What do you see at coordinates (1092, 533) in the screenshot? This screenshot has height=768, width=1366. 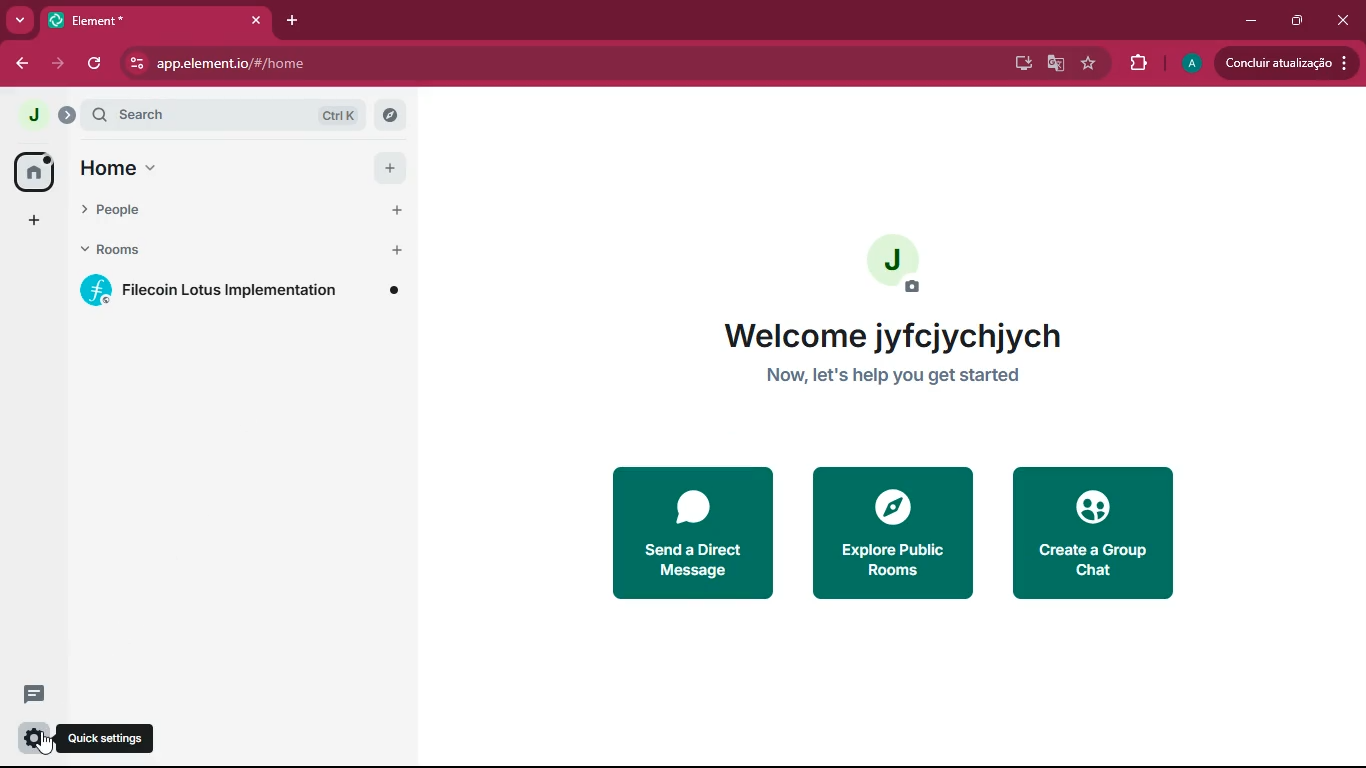 I see `create a group chat` at bounding box center [1092, 533].